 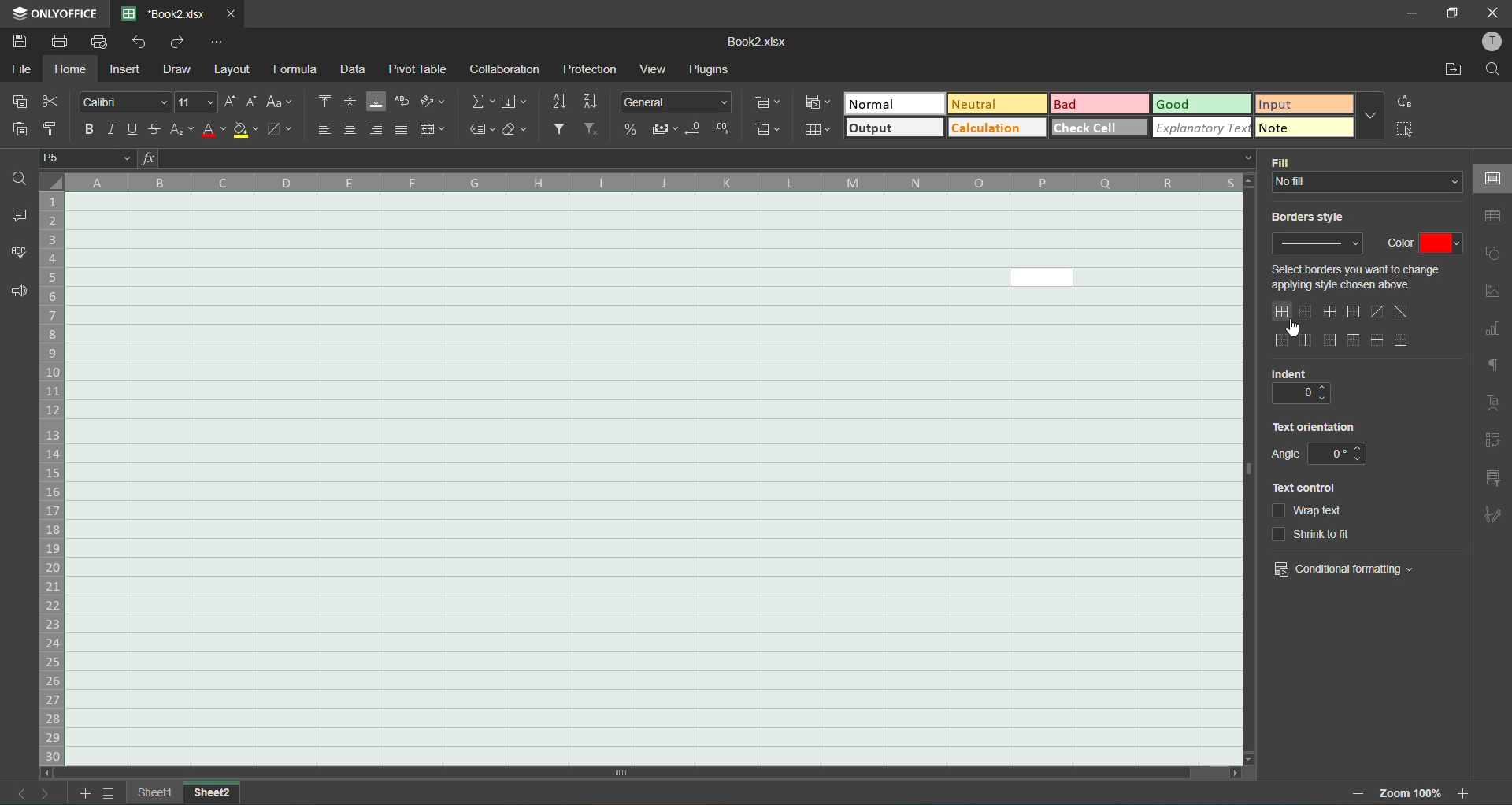 I want to click on increment size, so click(x=232, y=103).